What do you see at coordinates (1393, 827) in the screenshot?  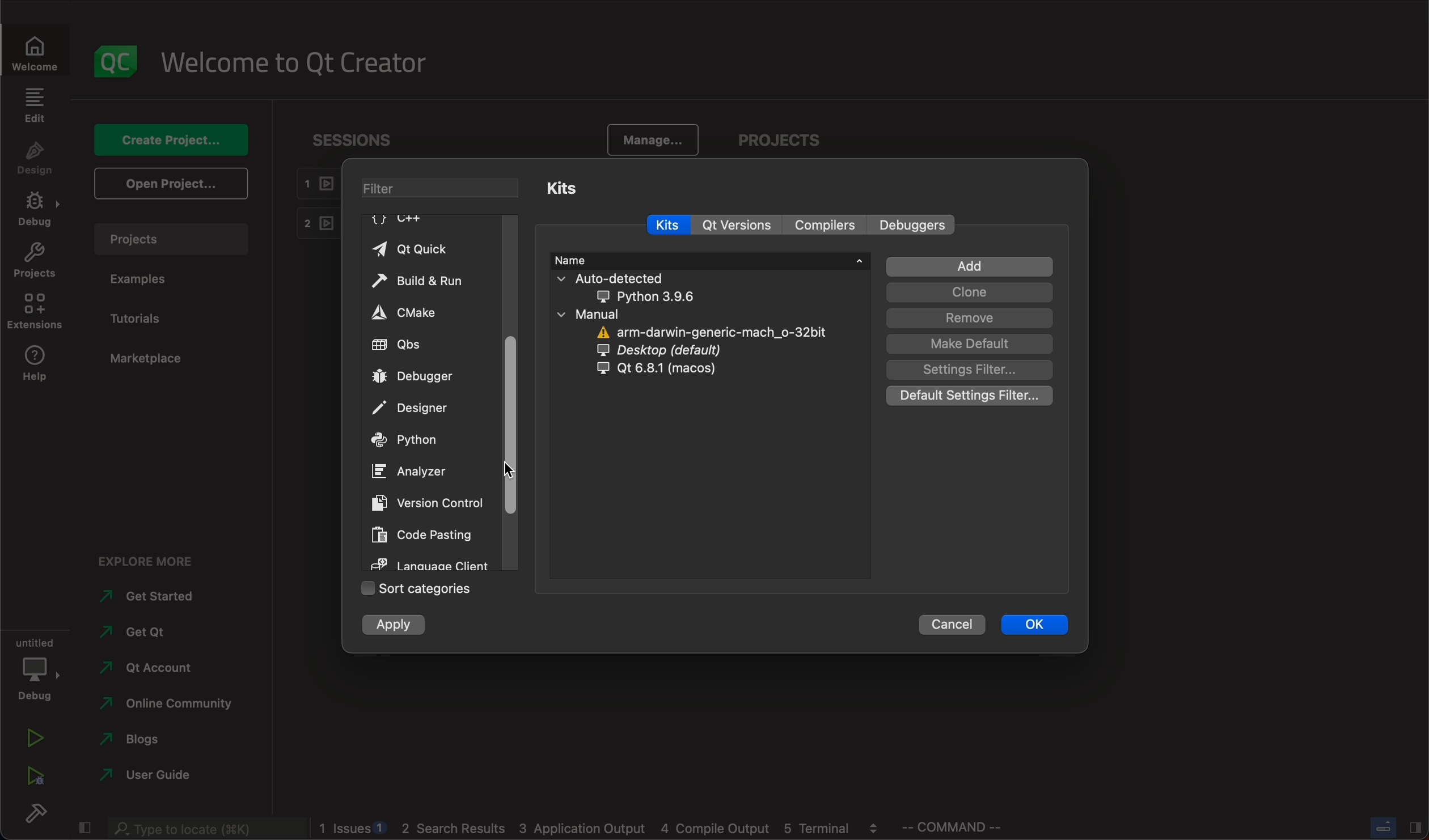 I see `close slide bar` at bounding box center [1393, 827].